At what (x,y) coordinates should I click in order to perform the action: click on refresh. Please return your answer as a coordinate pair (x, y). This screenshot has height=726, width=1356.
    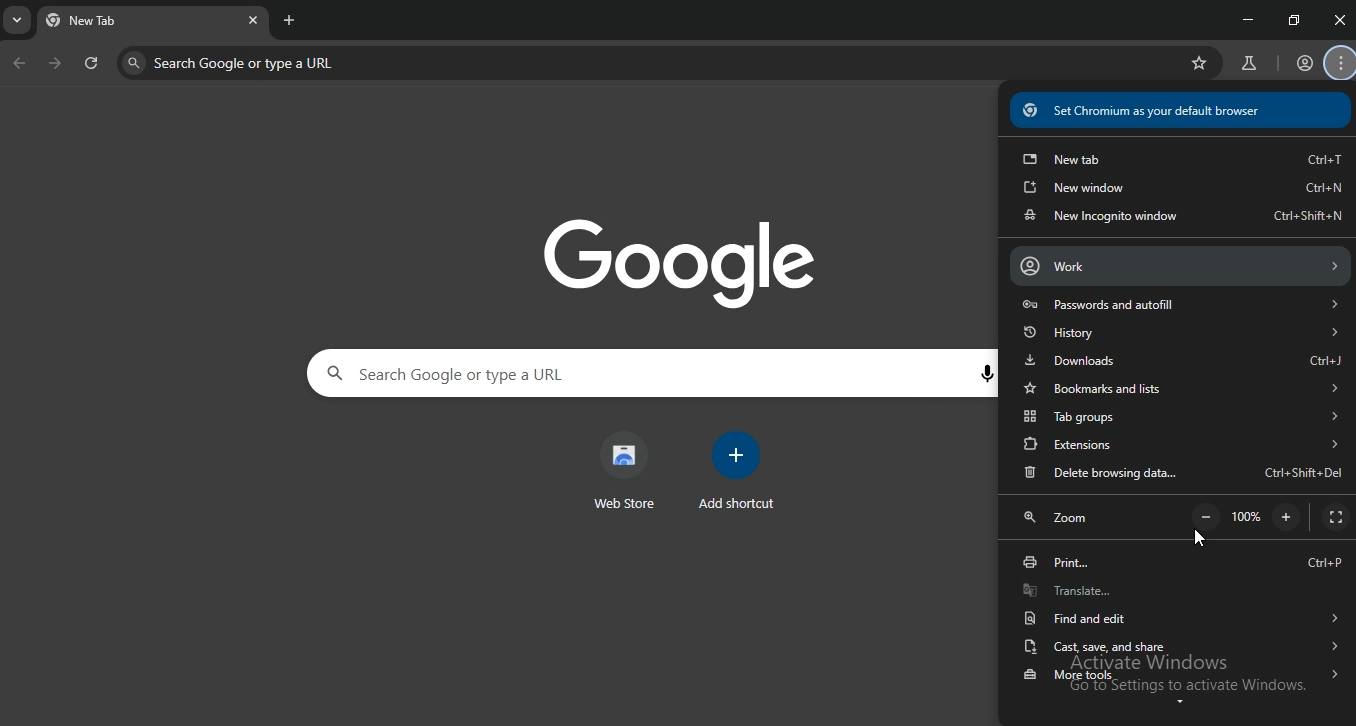
    Looking at the image, I should click on (92, 65).